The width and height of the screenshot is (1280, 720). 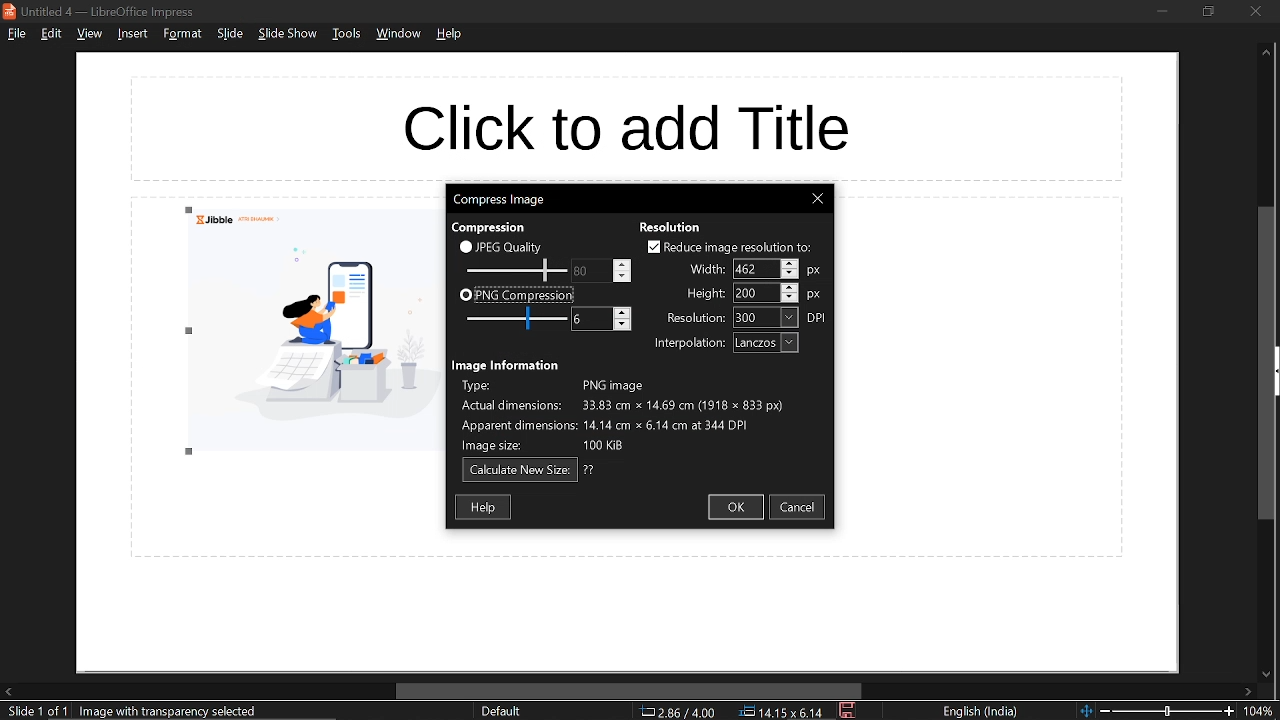 I want to click on image with transparency selected, so click(x=174, y=711).